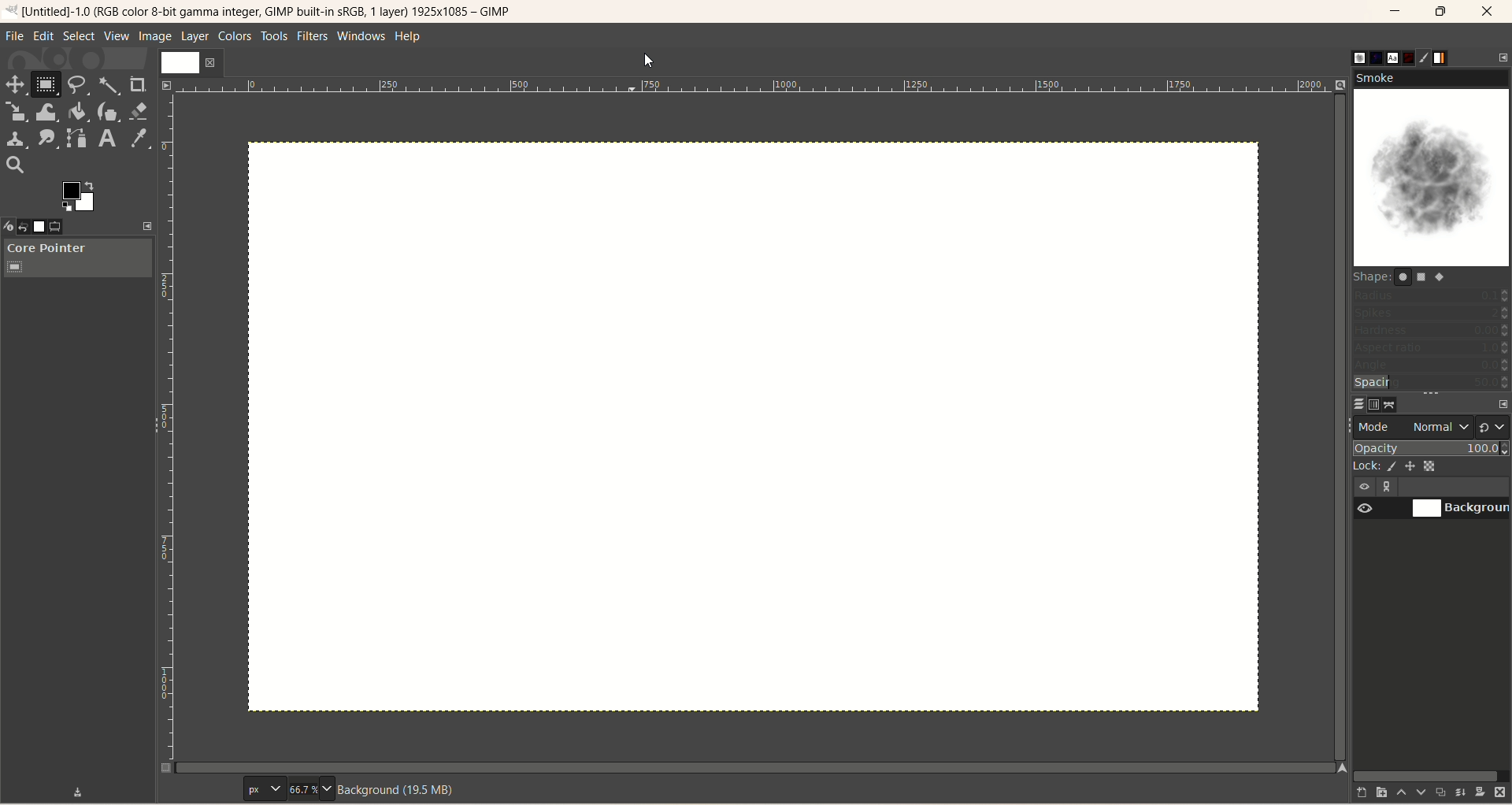 The width and height of the screenshot is (1512, 805). What do you see at coordinates (1364, 487) in the screenshot?
I see `visibility` at bounding box center [1364, 487].